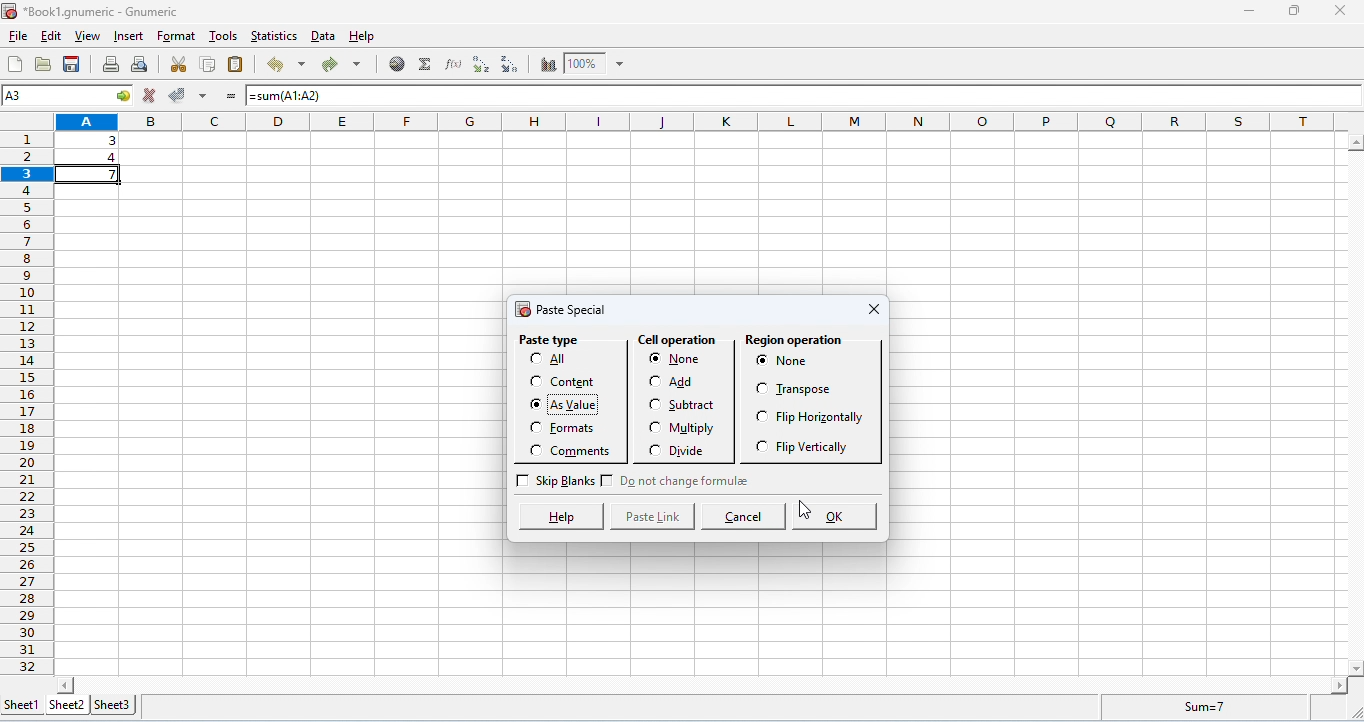 This screenshot has width=1364, height=722. Describe the element at coordinates (656, 403) in the screenshot. I see `Checkbox` at that location.